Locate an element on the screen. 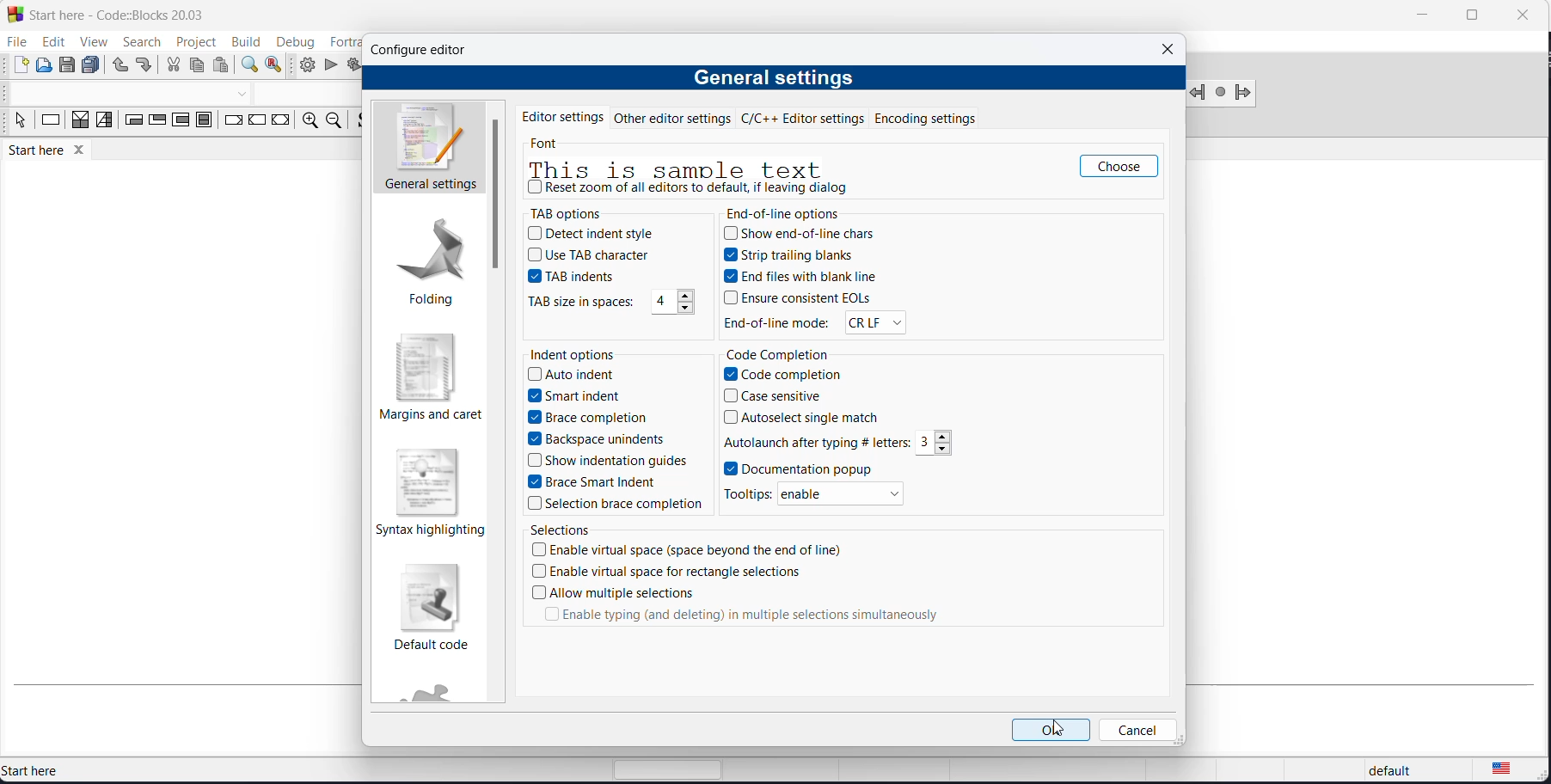  return instruction is located at coordinates (280, 123).